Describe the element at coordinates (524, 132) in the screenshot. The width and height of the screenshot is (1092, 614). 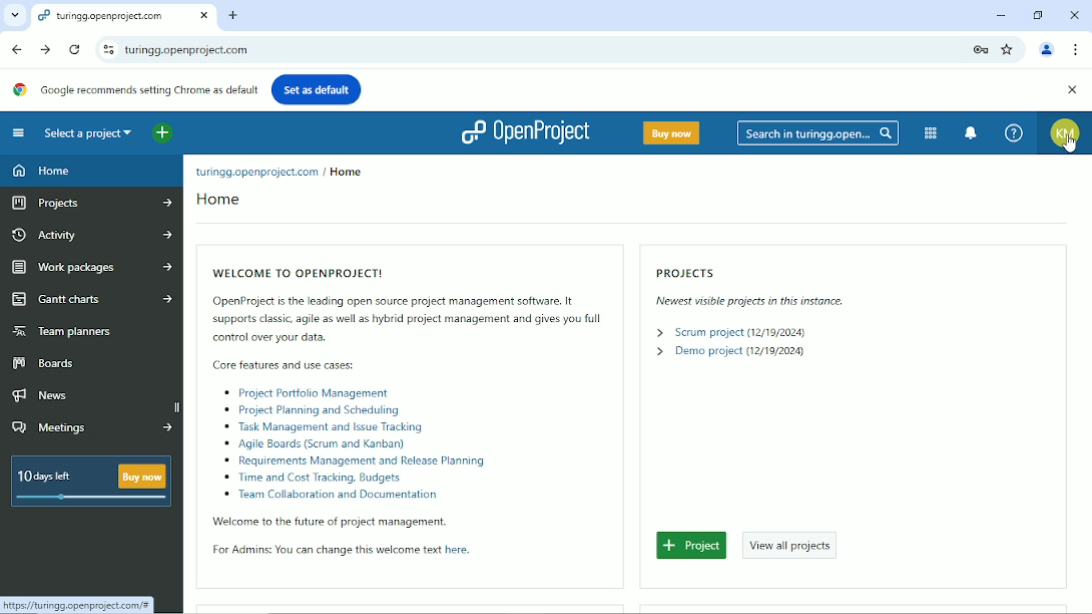
I see `Openproject` at that location.